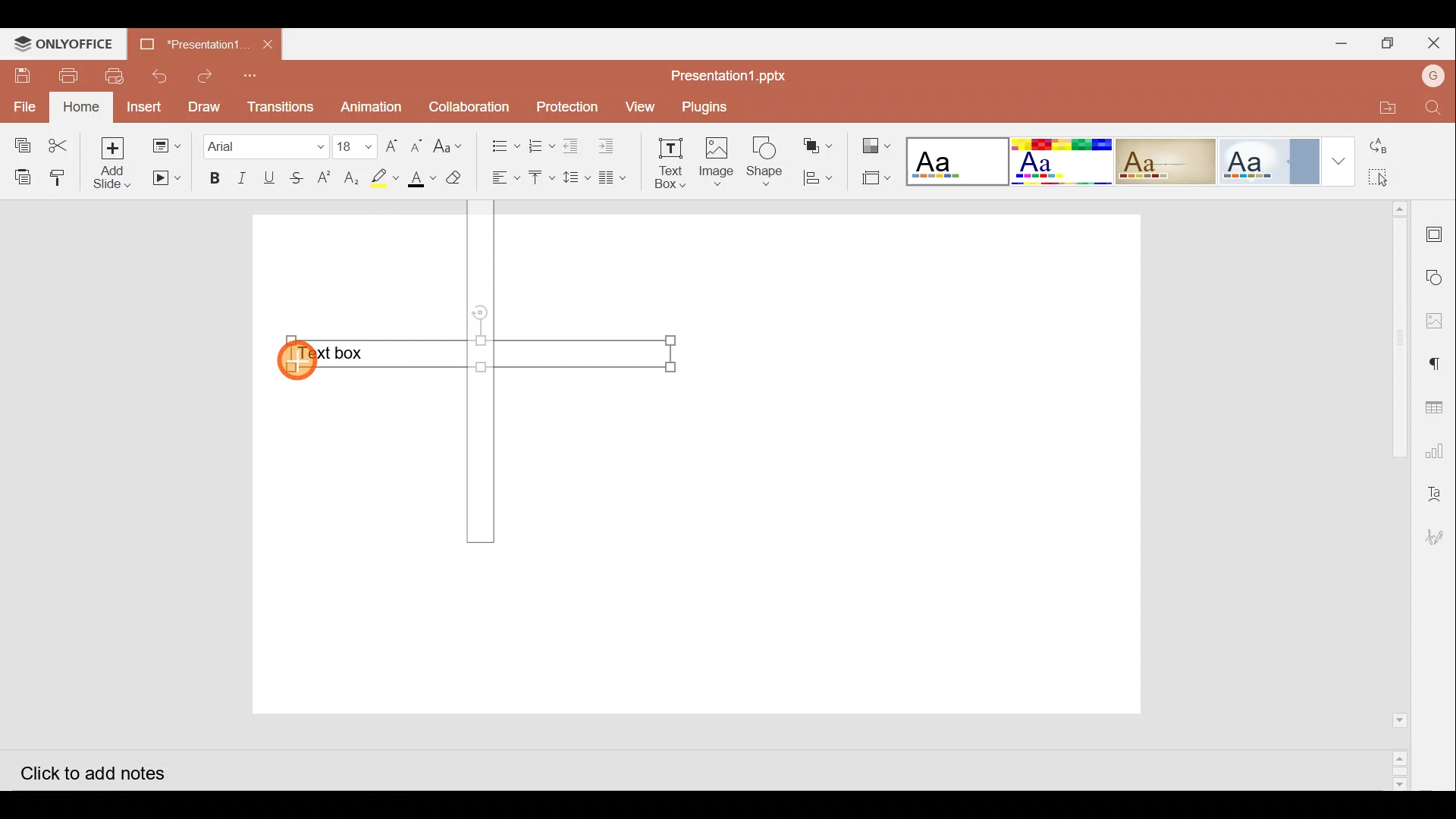  Describe the element at coordinates (639, 105) in the screenshot. I see `View` at that location.